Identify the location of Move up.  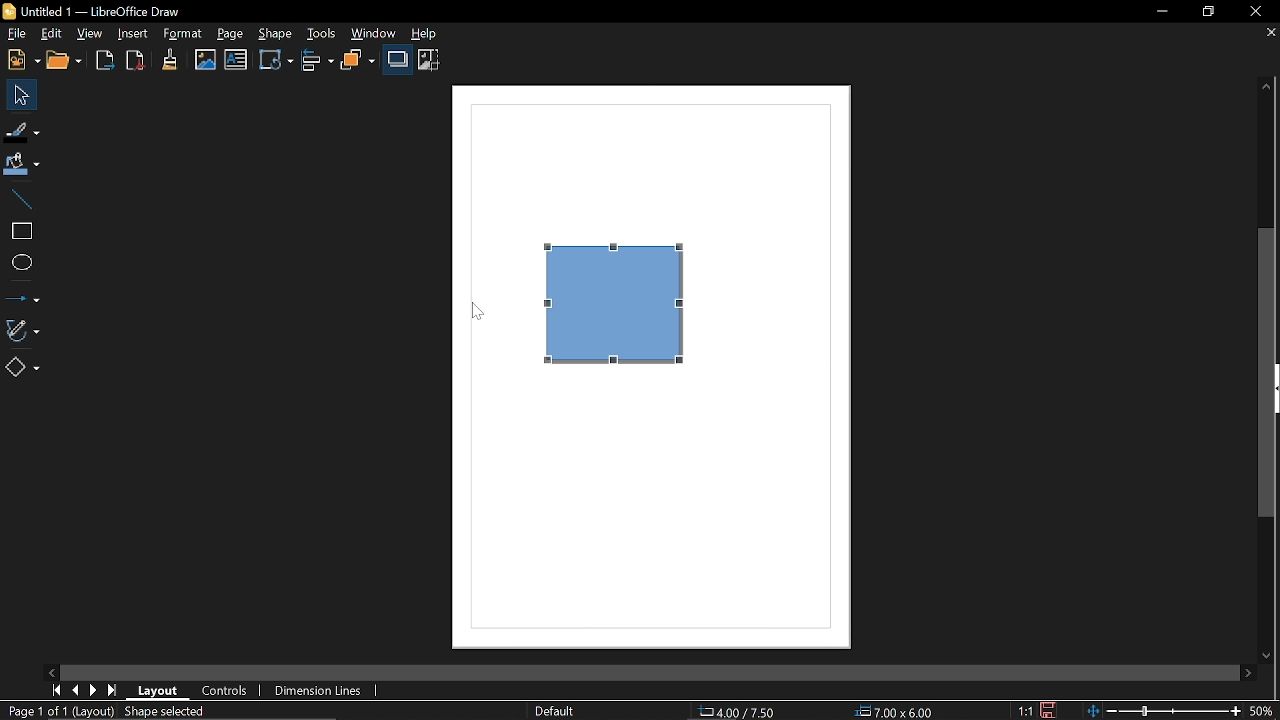
(1265, 88).